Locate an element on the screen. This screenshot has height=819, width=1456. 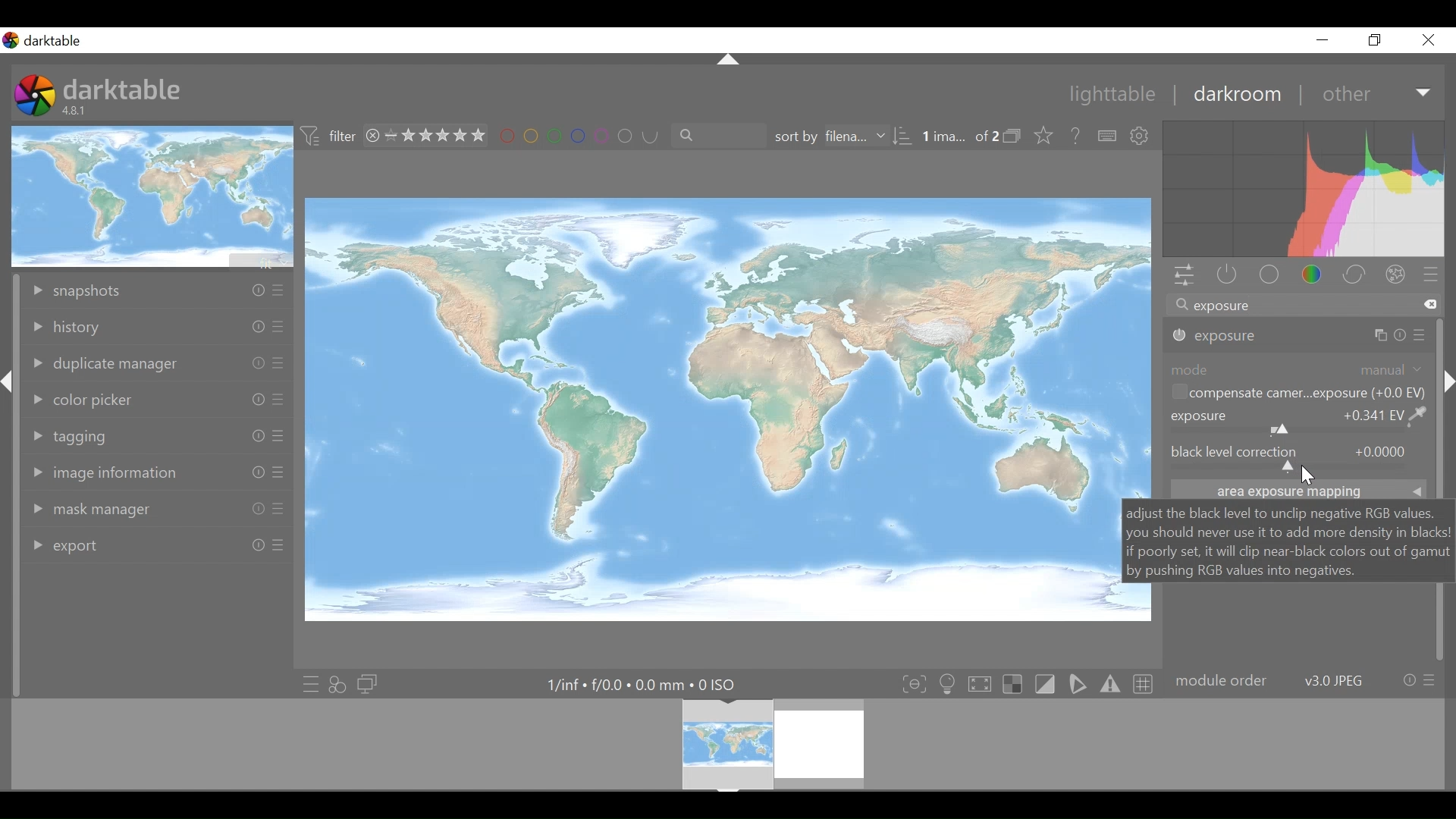
vertical scroll bar is located at coordinates (15, 559).